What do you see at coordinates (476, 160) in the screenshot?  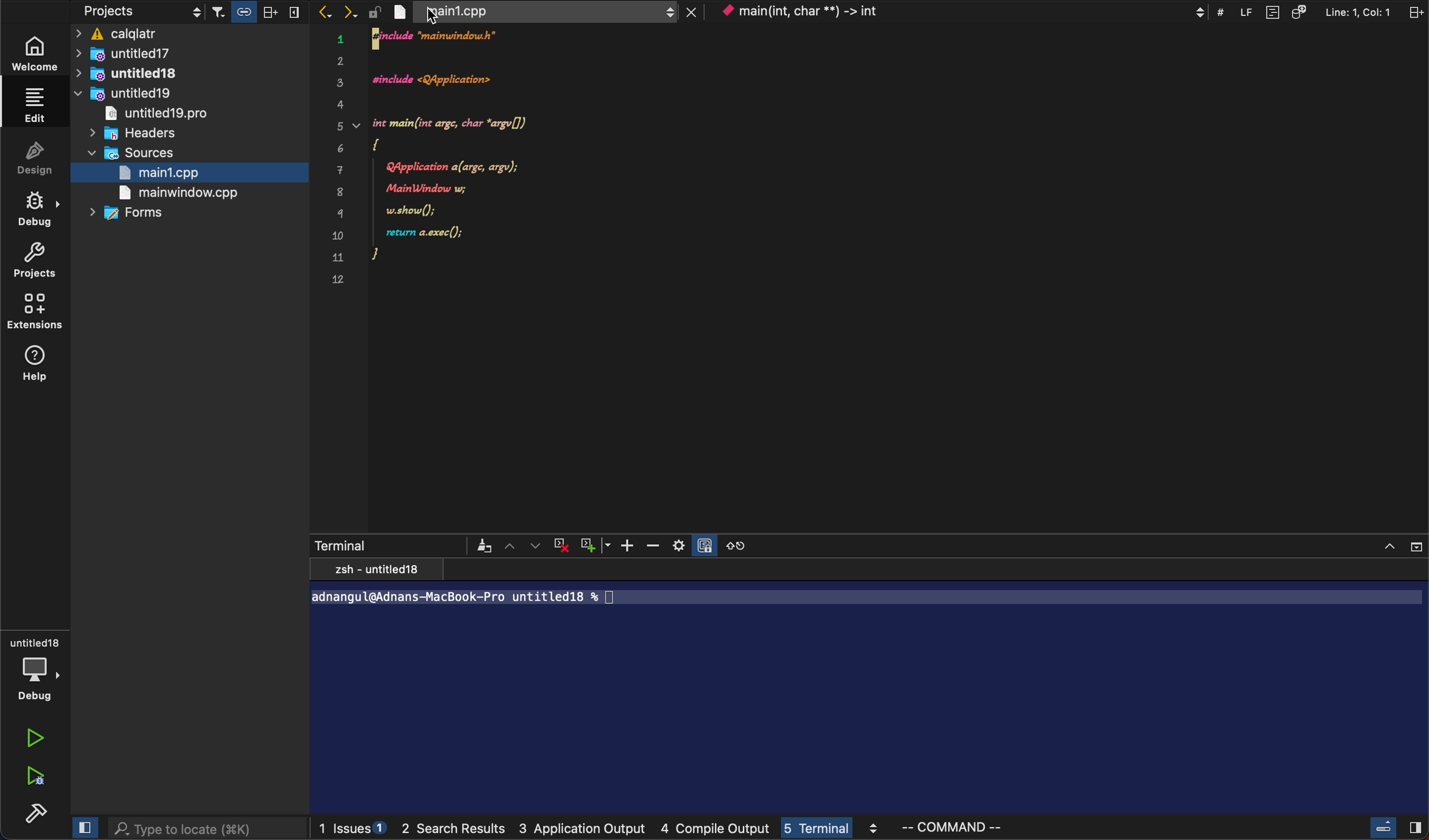 I see `code` at bounding box center [476, 160].